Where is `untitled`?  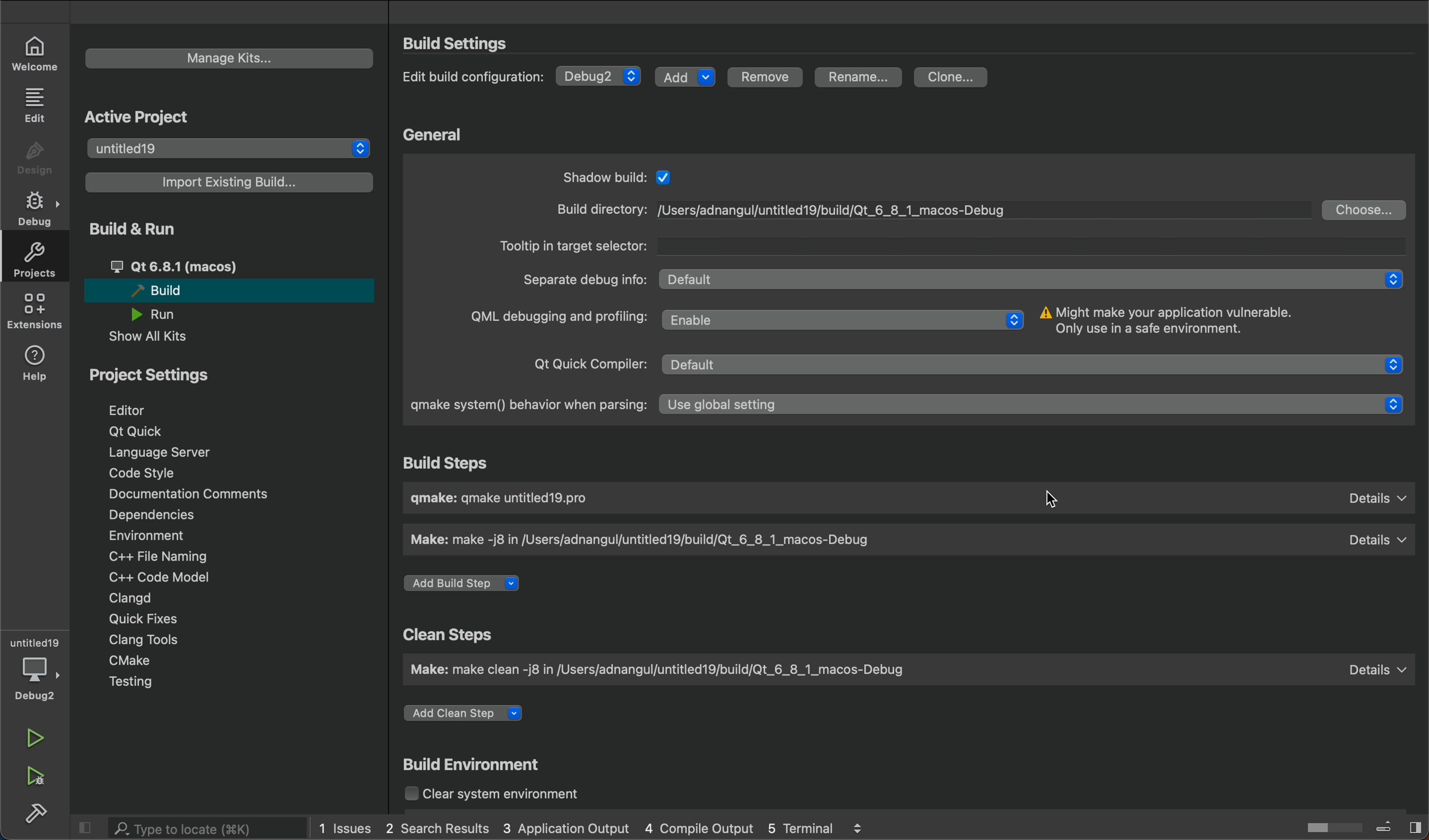
untitled is located at coordinates (227, 149).